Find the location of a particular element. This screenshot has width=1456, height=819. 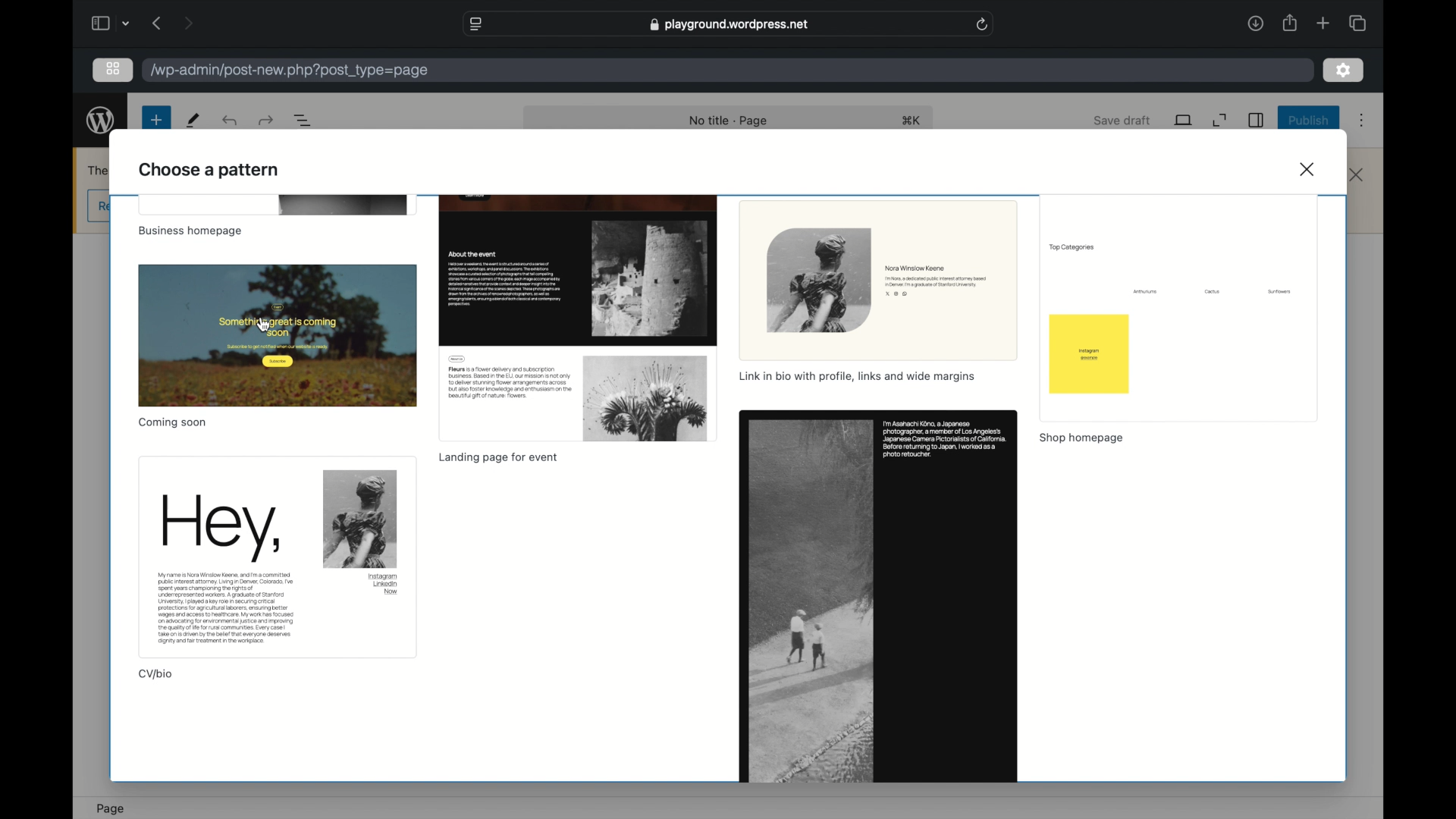

landing page for event is located at coordinates (499, 458).